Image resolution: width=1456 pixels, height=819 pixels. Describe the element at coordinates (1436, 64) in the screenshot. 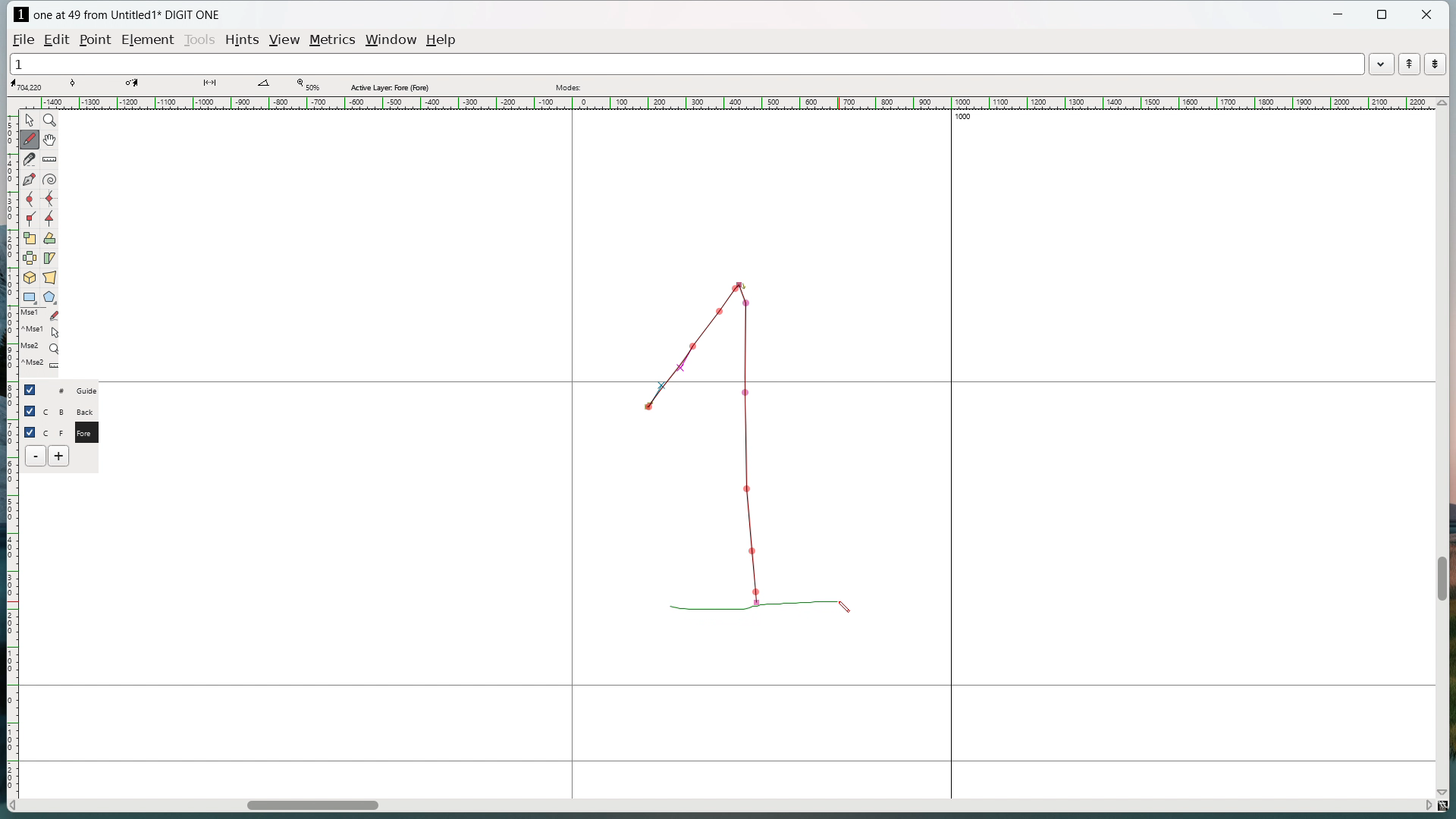

I see `show the next word in the word list` at that location.